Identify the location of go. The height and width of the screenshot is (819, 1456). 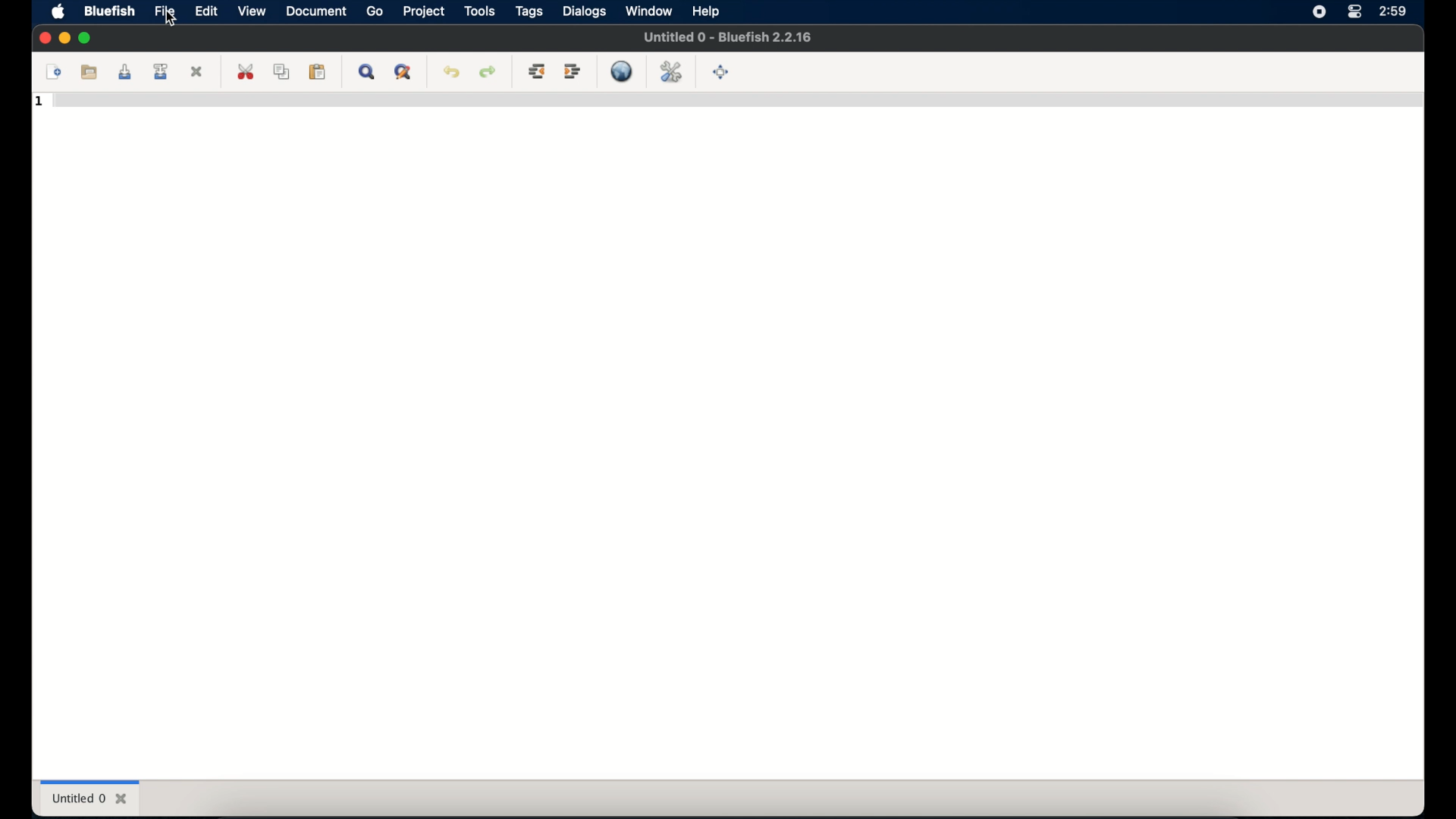
(375, 12).